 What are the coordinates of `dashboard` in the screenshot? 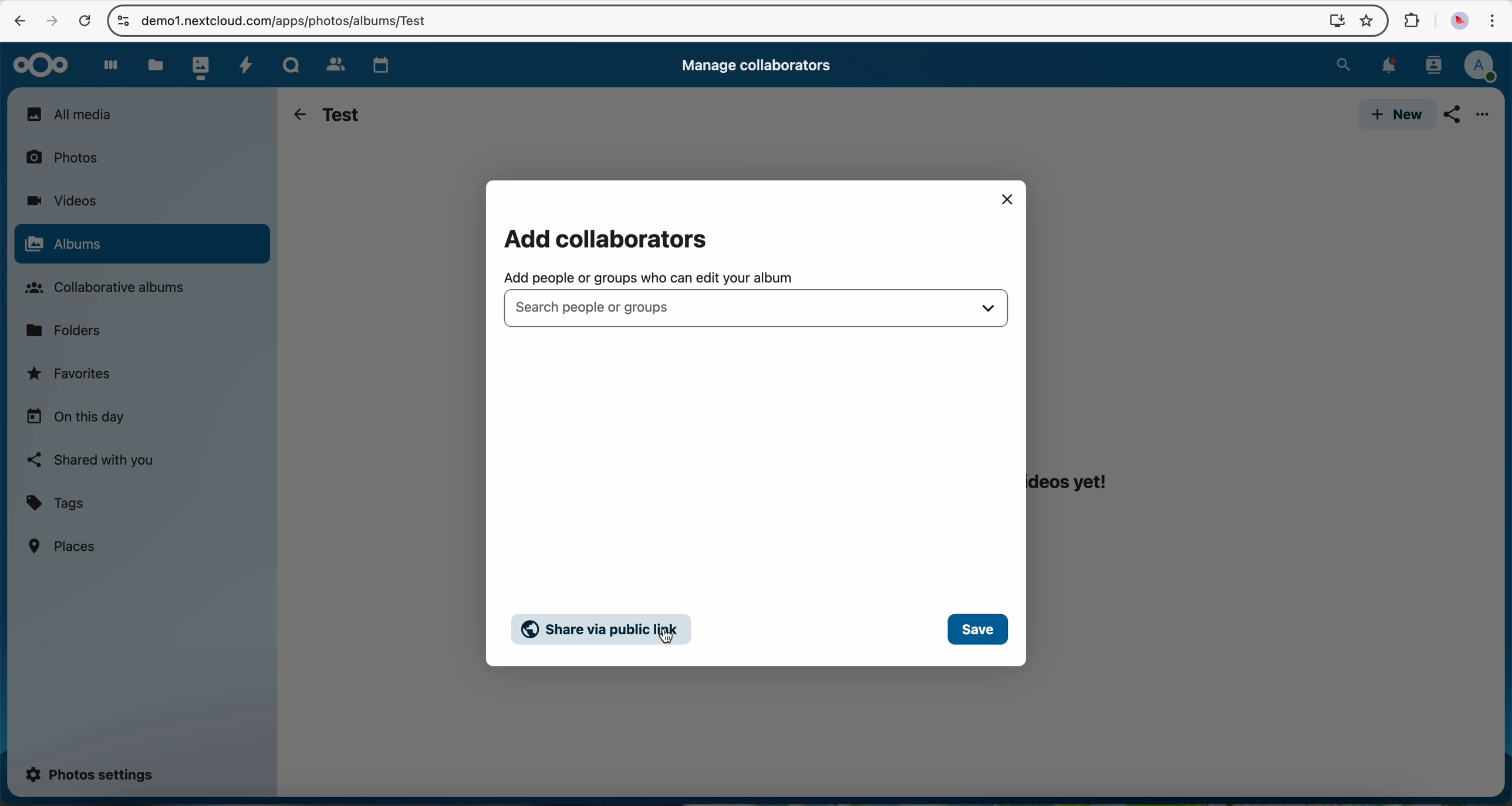 It's located at (105, 65).